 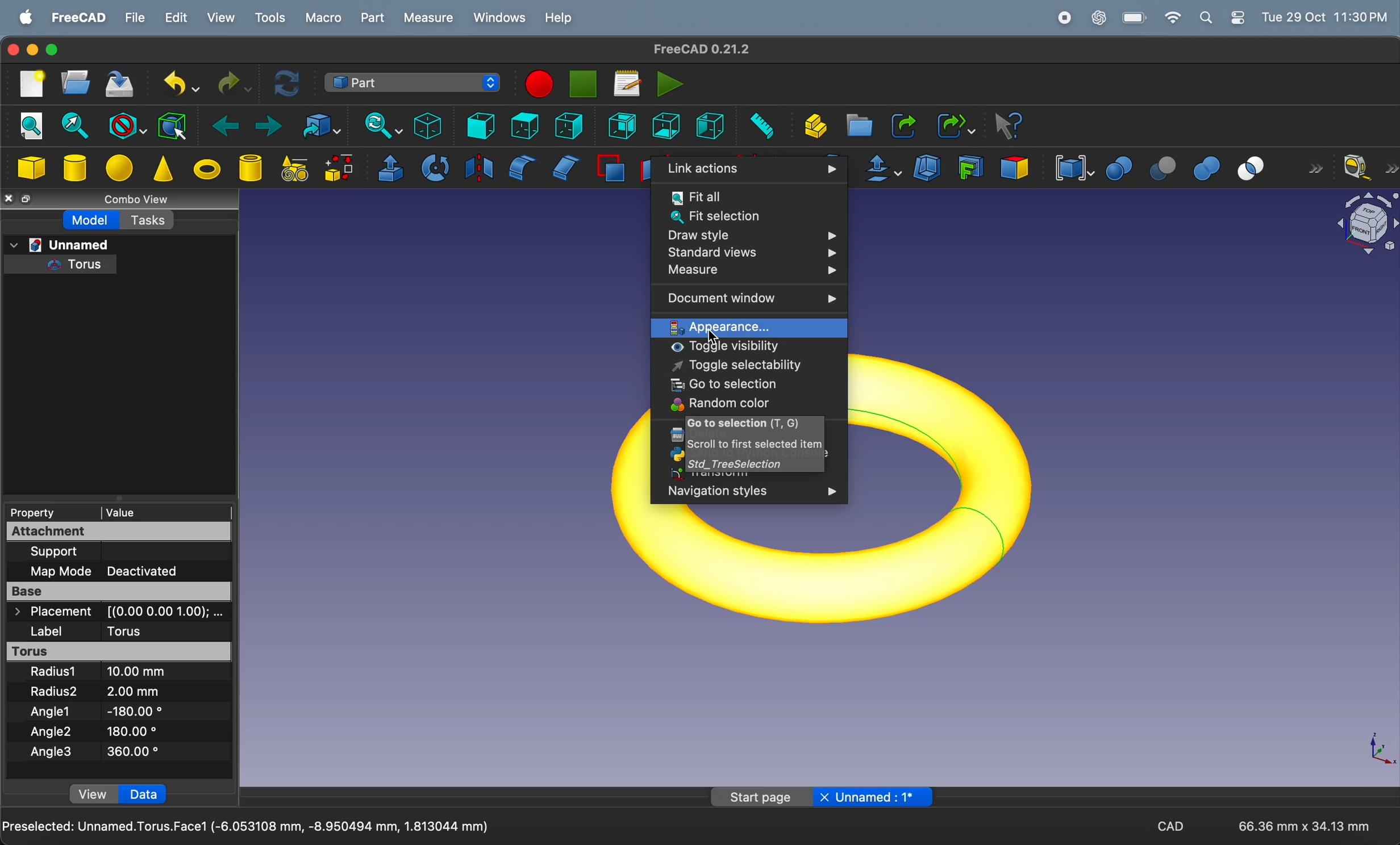 What do you see at coordinates (51, 512) in the screenshot?
I see `property` at bounding box center [51, 512].